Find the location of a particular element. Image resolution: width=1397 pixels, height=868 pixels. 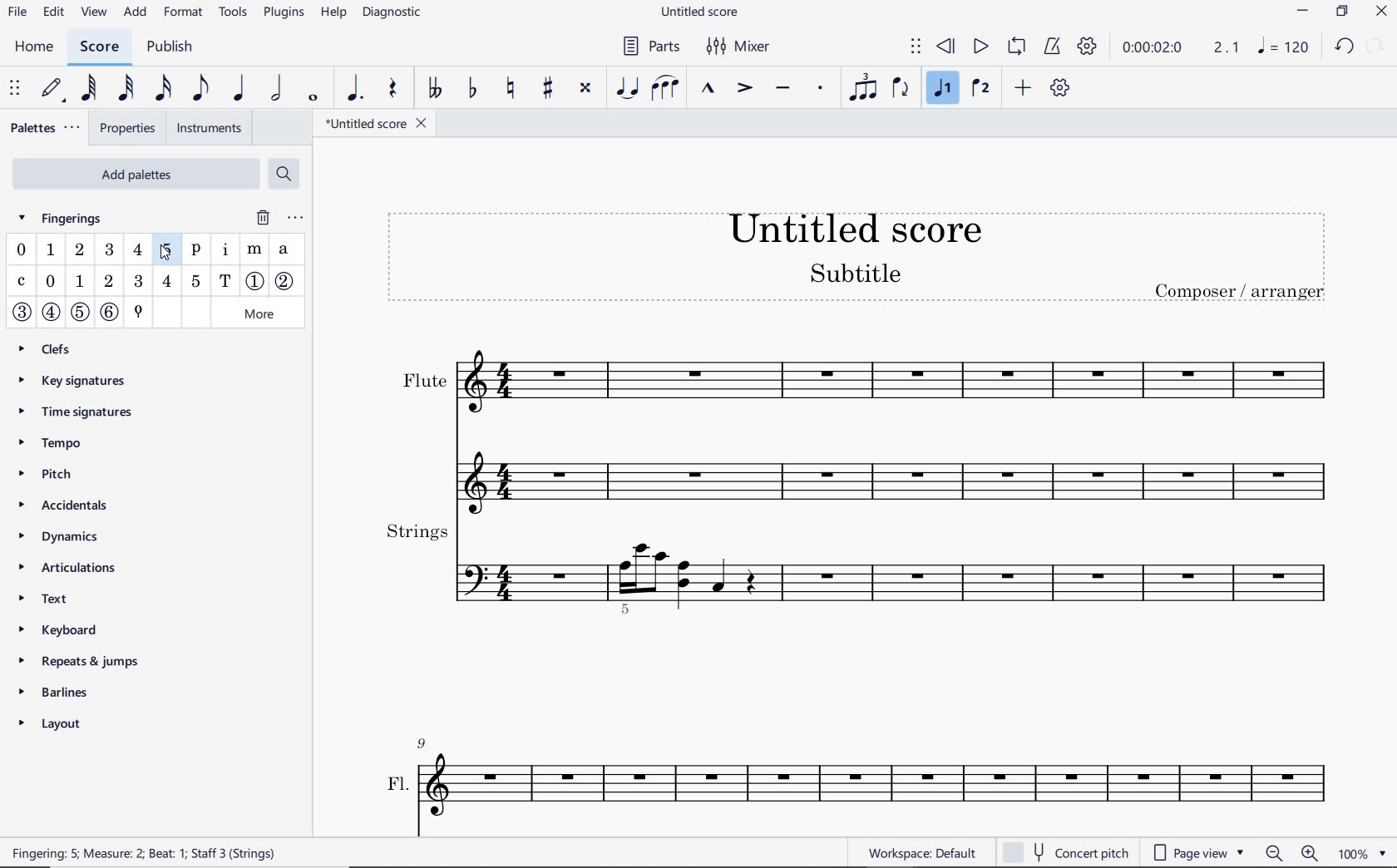

REDO is located at coordinates (1375, 47).